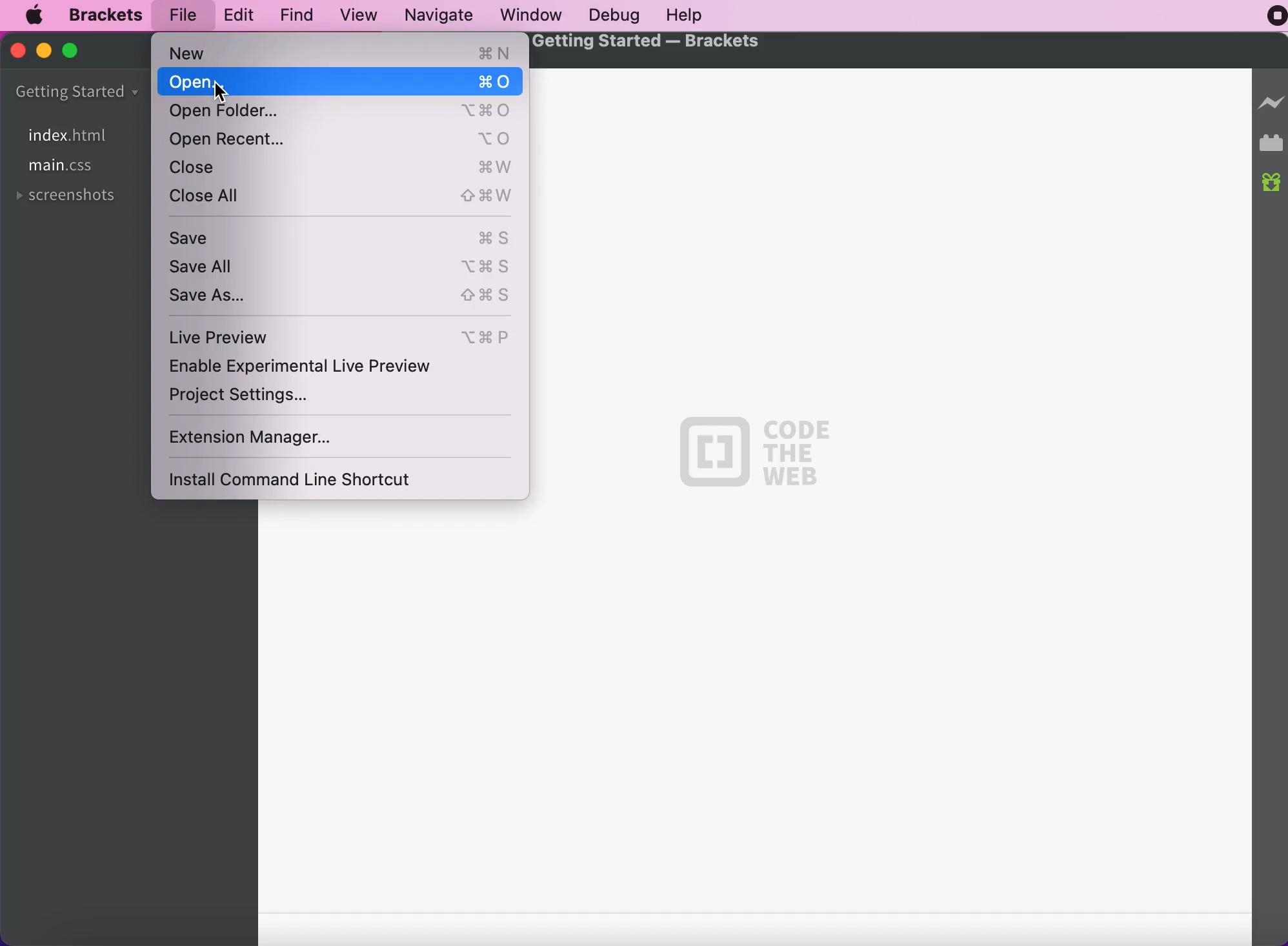 The image size is (1288, 946). Describe the element at coordinates (72, 199) in the screenshot. I see `screenshots` at that location.